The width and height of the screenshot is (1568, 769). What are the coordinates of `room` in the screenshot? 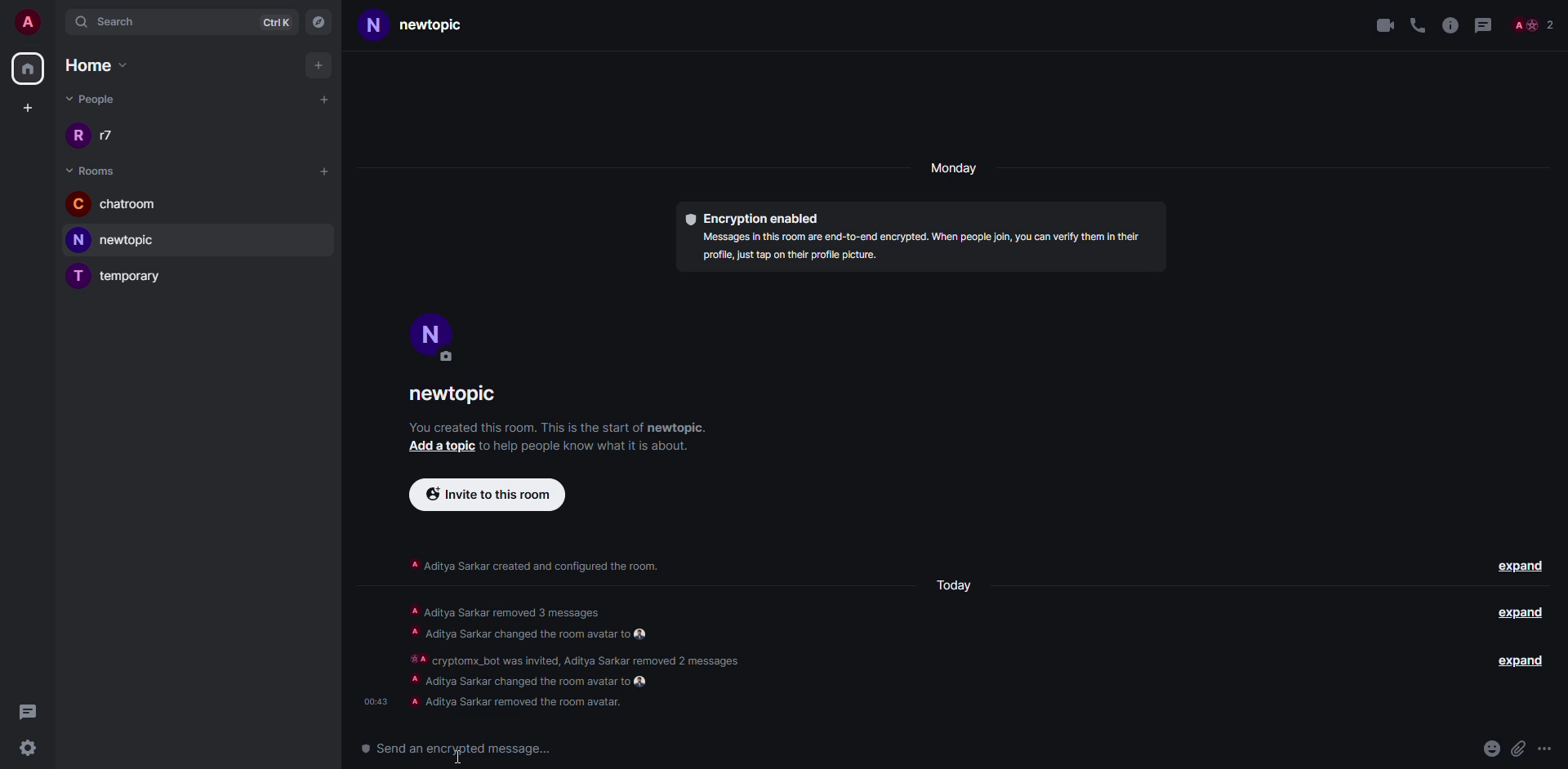 It's located at (95, 171).